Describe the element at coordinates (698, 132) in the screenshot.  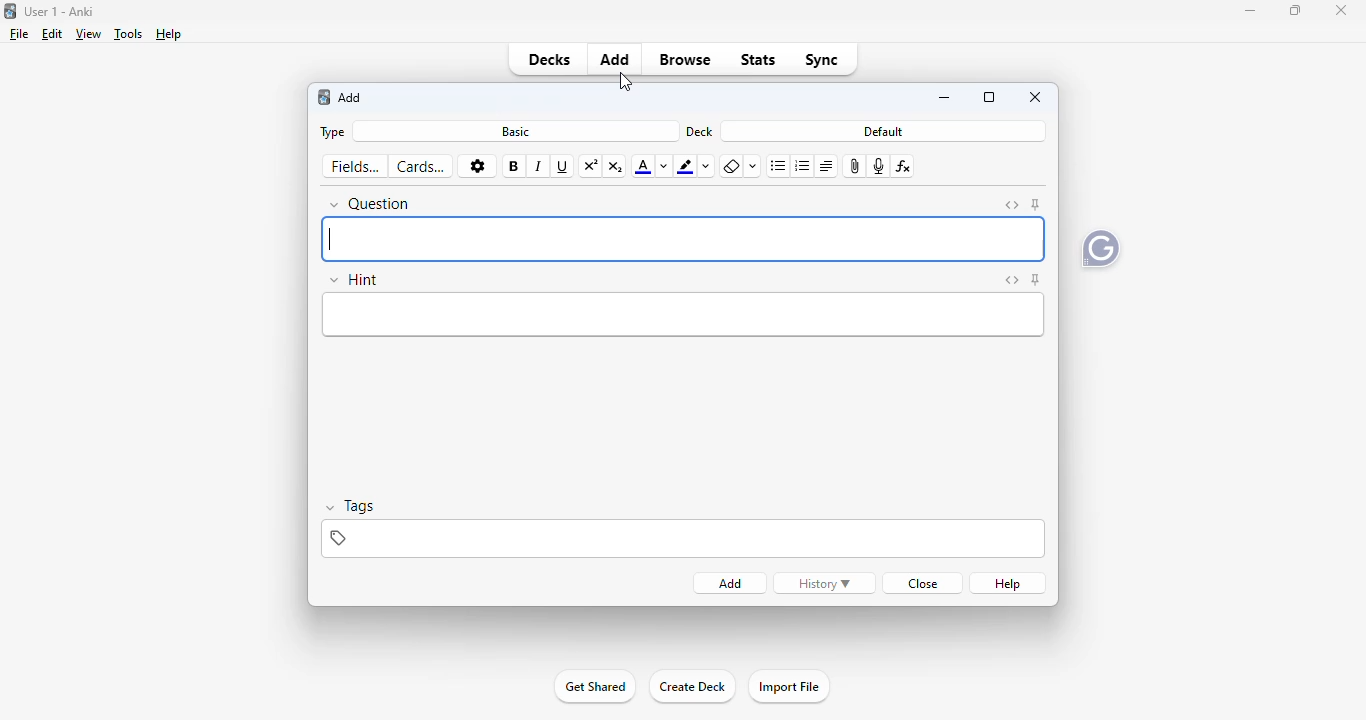
I see `deck` at that location.